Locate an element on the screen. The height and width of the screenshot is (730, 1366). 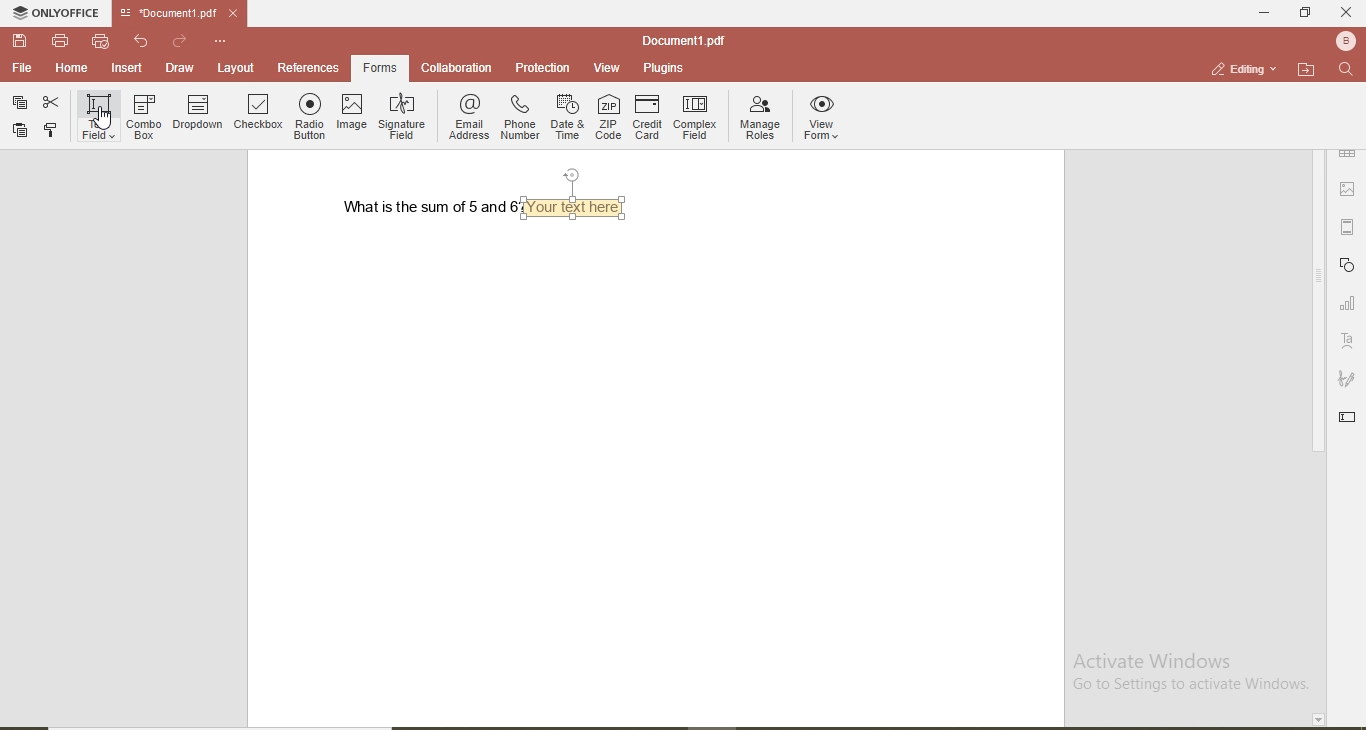
what is the sum of 5 and 6? is located at coordinates (438, 209).